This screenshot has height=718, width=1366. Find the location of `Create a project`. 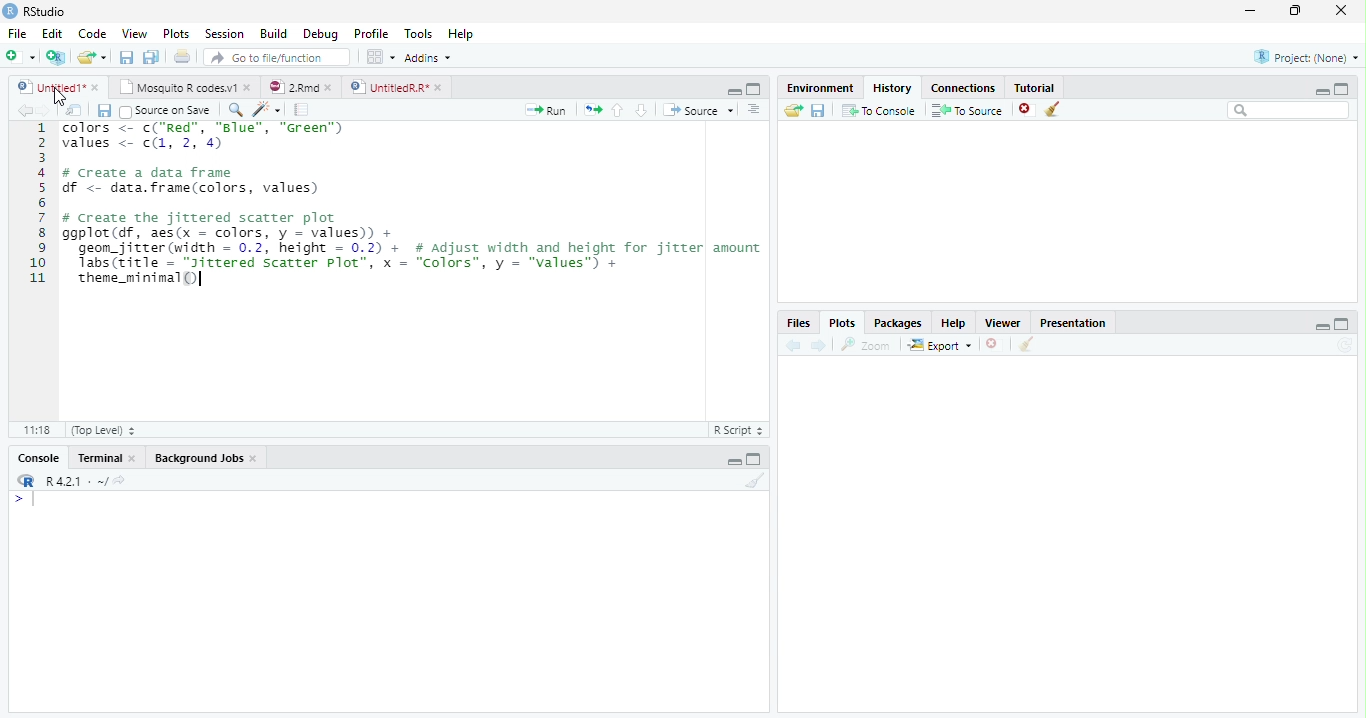

Create a project is located at coordinates (55, 57).